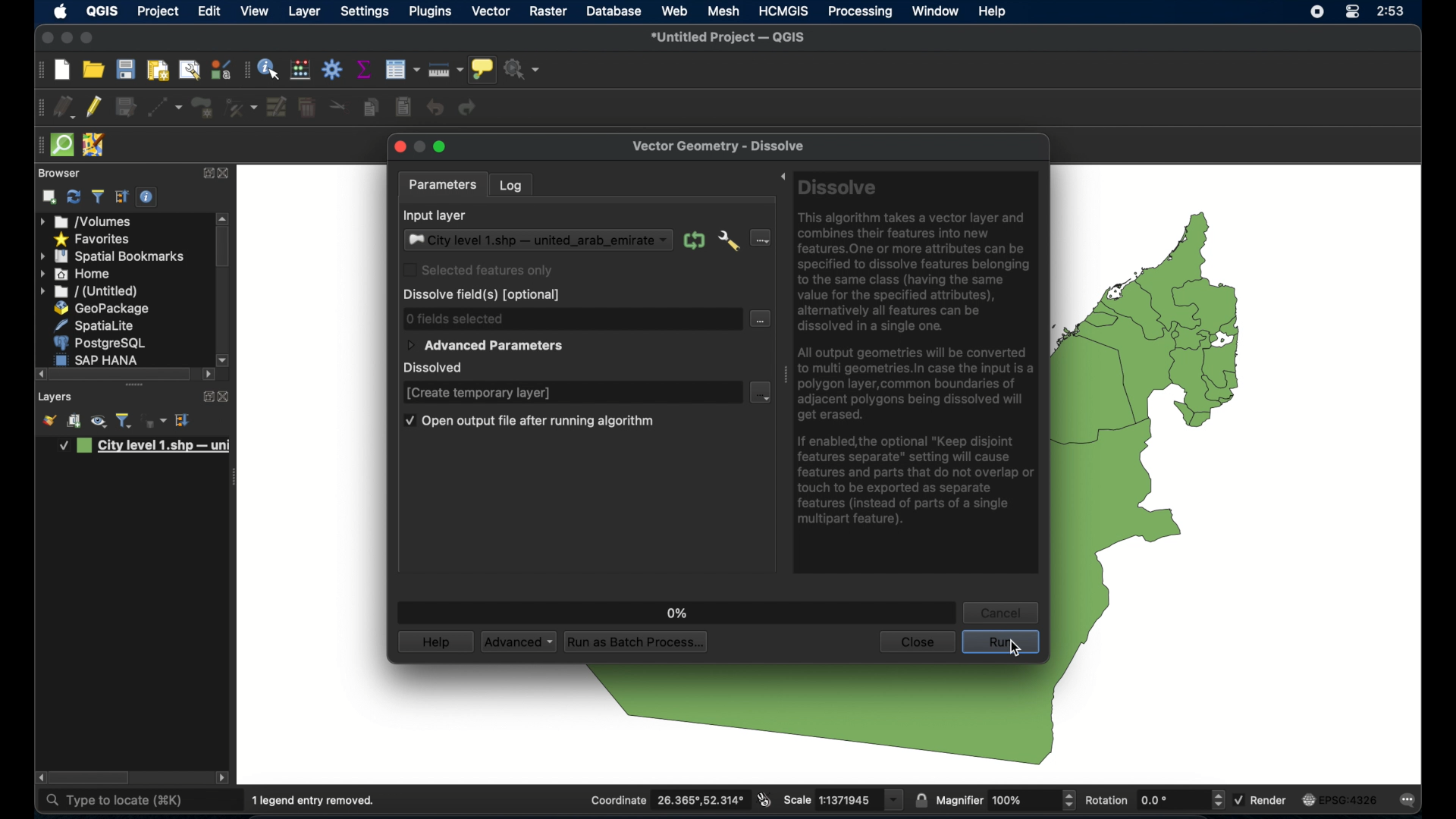  What do you see at coordinates (455, 318) in the screenshot?
I see `0 fields selected` at bounding box center [455, 318].